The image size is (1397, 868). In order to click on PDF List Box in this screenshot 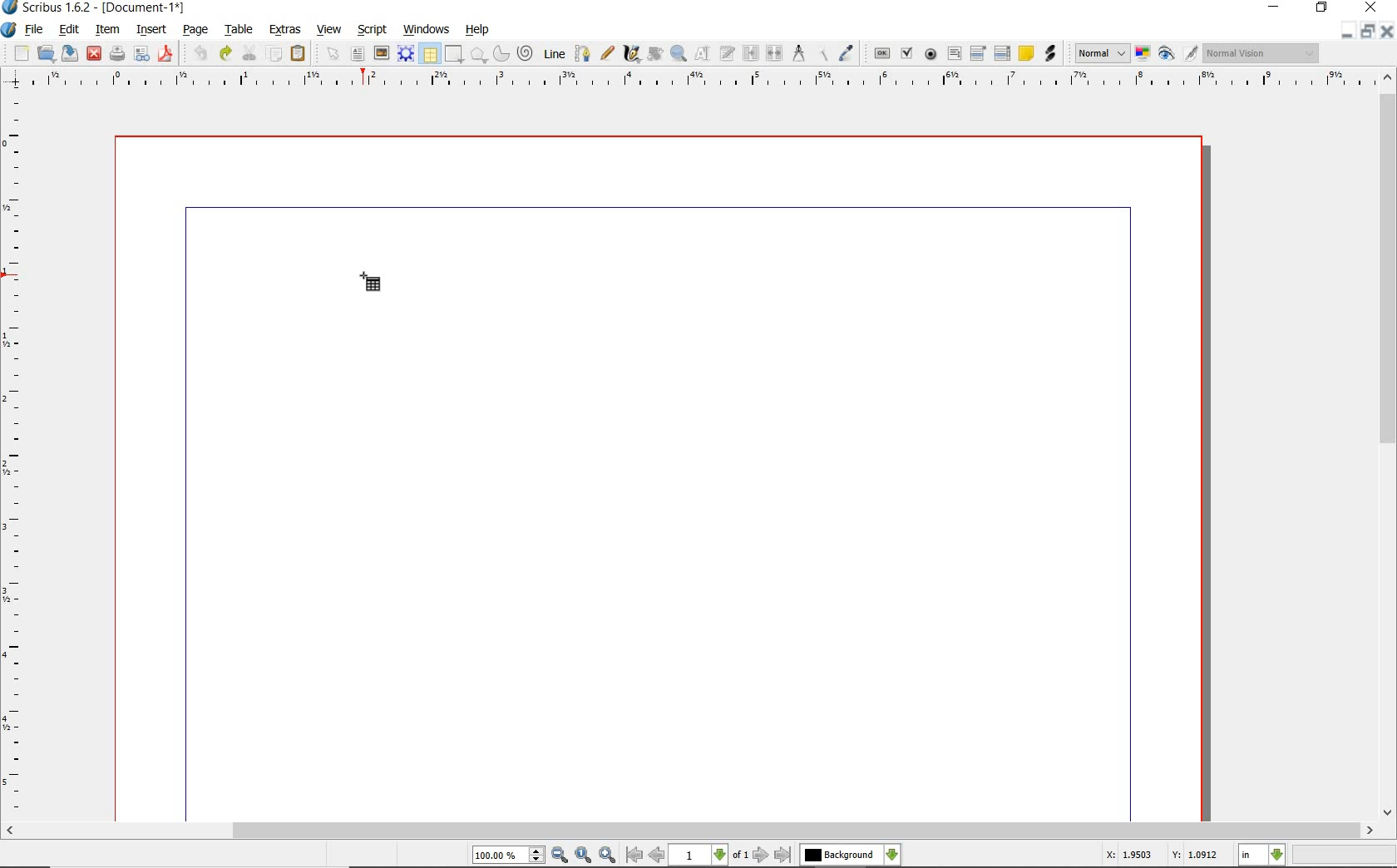, I will do `click(1002, 53)`.